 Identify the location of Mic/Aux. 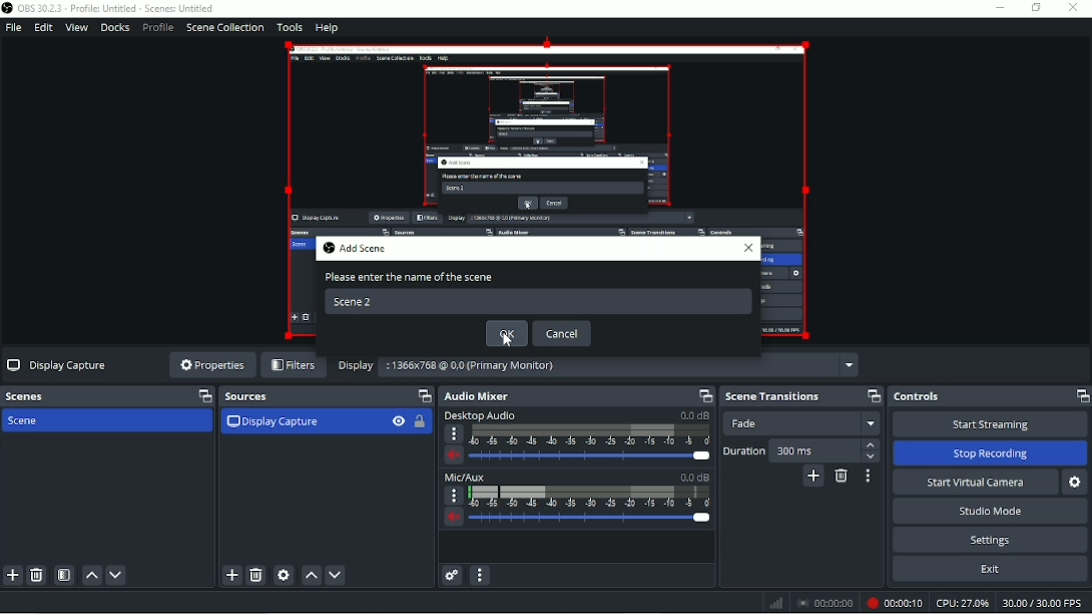
(466, 478).